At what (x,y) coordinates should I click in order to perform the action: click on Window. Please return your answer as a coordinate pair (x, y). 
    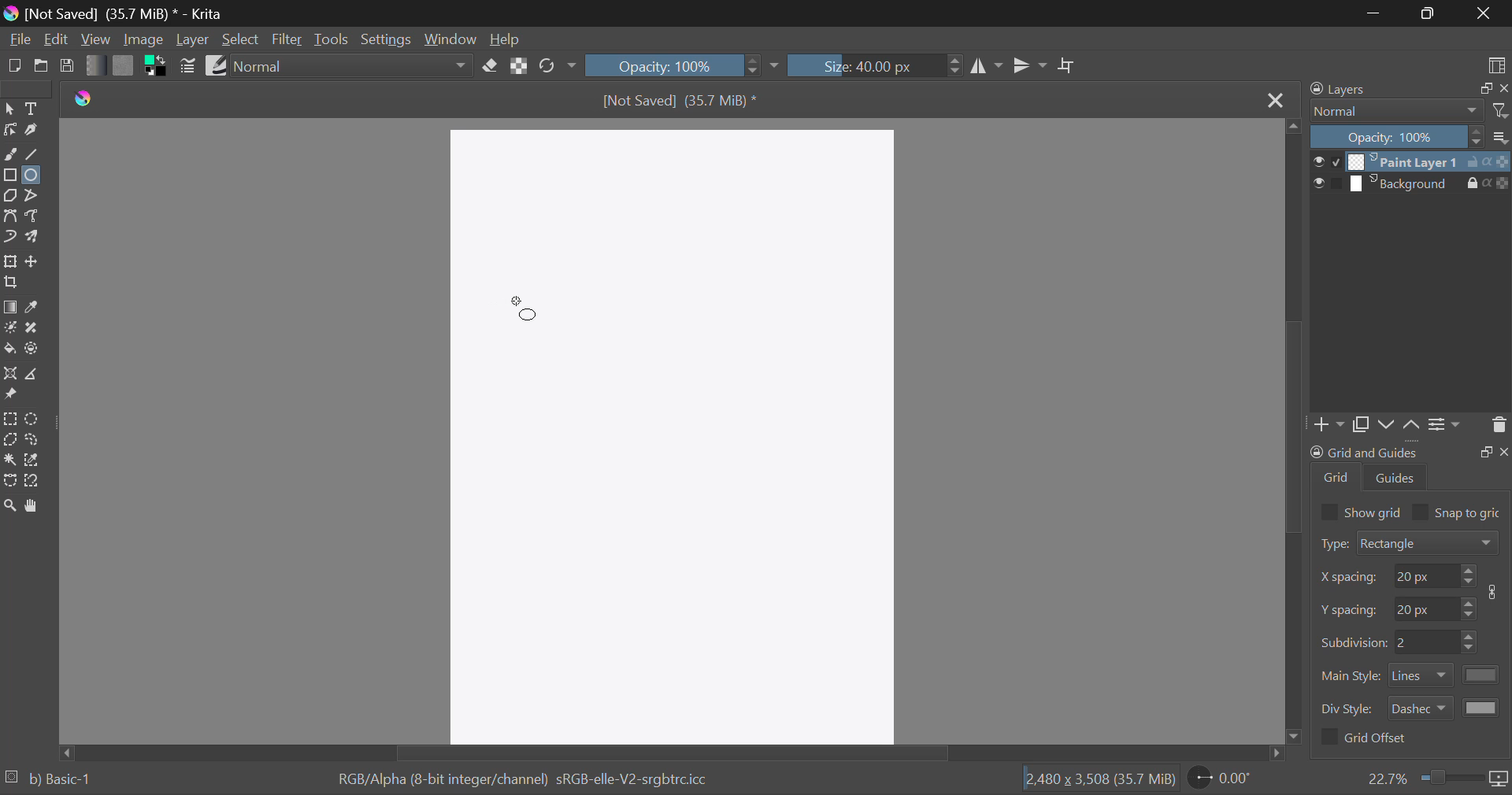
    Looking at the image, I should click on (450, 41).